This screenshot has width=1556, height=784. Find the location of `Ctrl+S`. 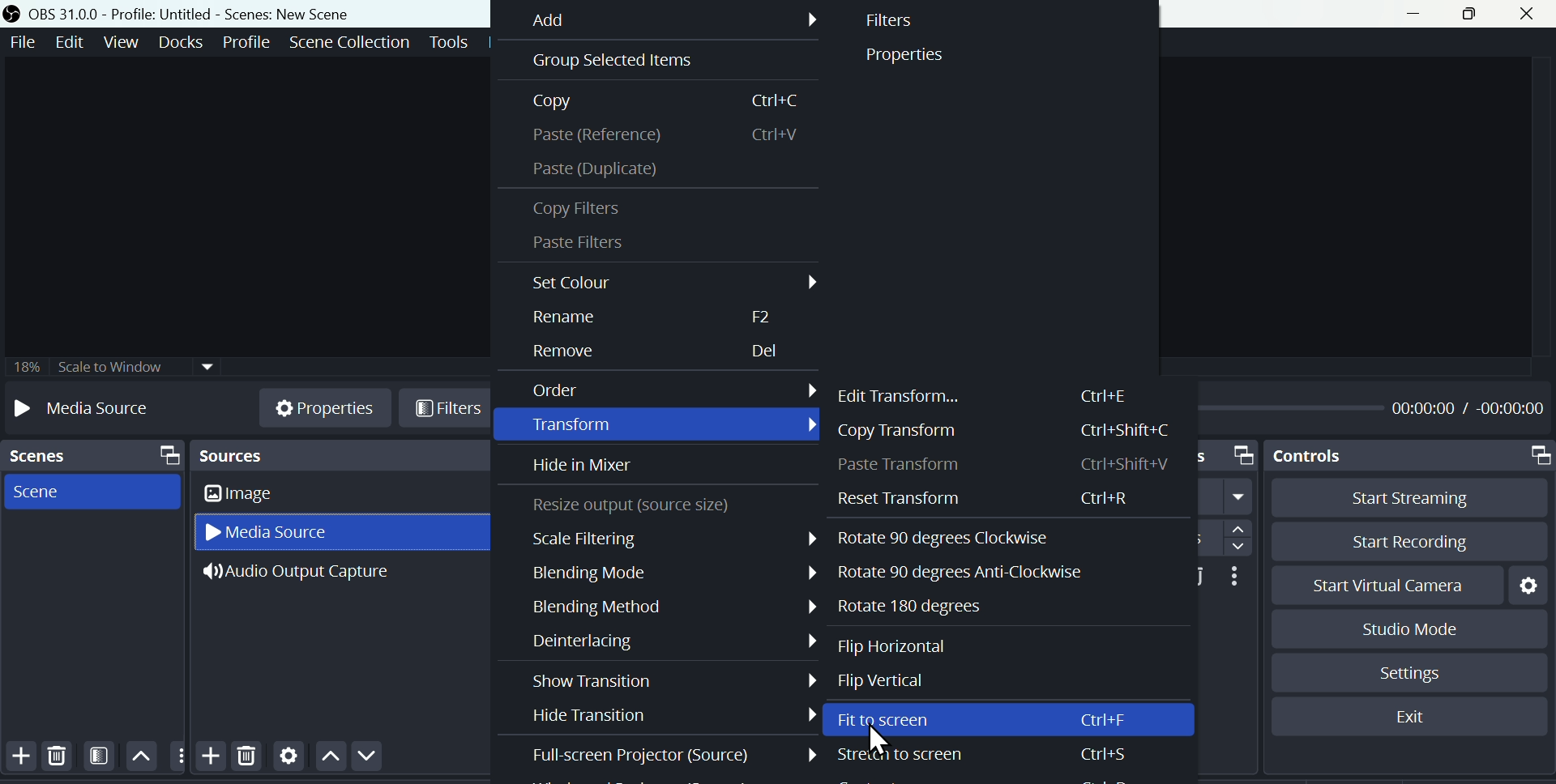

Ctrl+S is located at coordinates (1102, 755).